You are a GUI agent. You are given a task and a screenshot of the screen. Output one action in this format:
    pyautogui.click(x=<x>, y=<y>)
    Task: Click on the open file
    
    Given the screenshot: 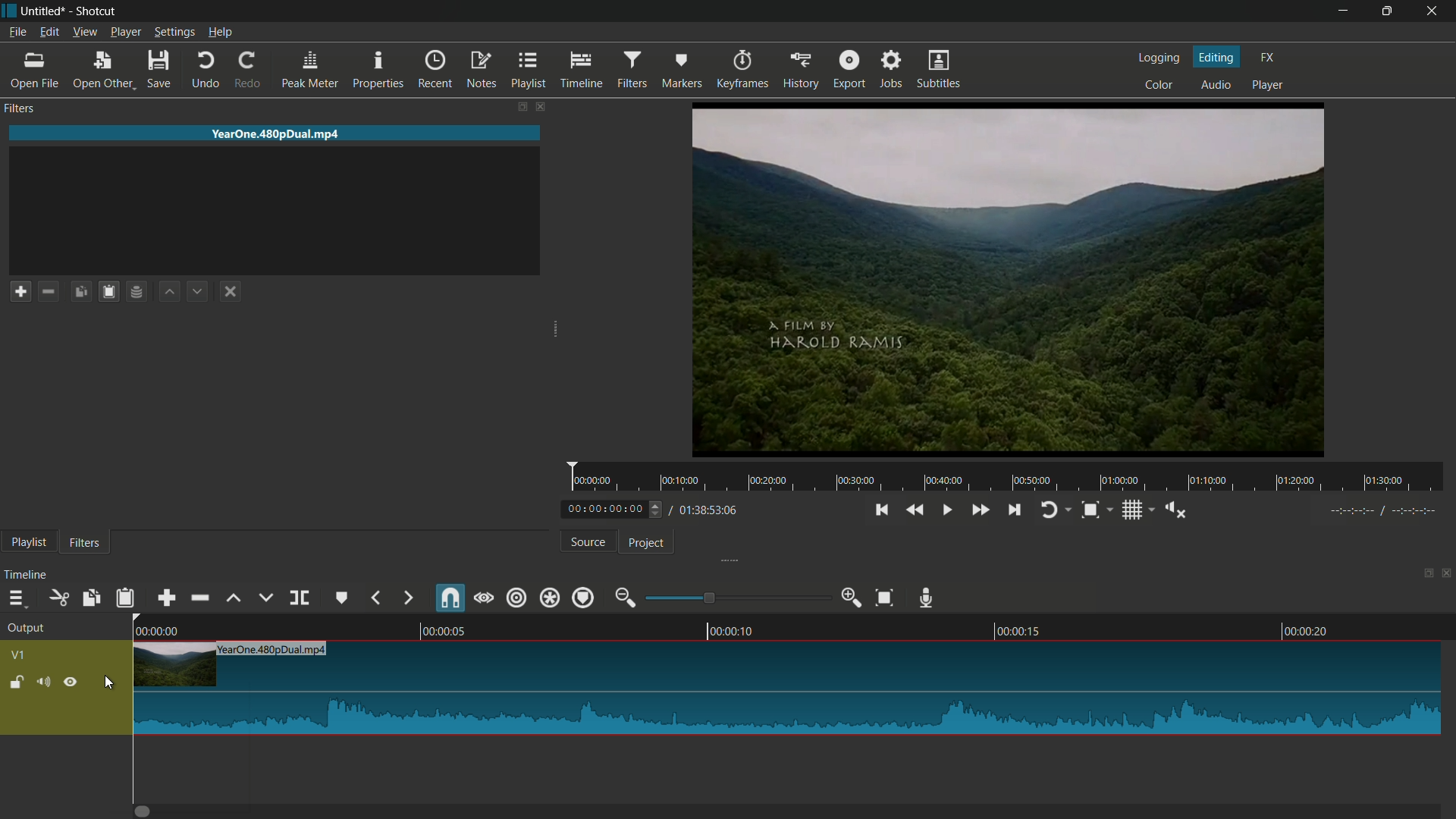 What is the action you would take?
    pyautogui.click(x=33, y=71)
    